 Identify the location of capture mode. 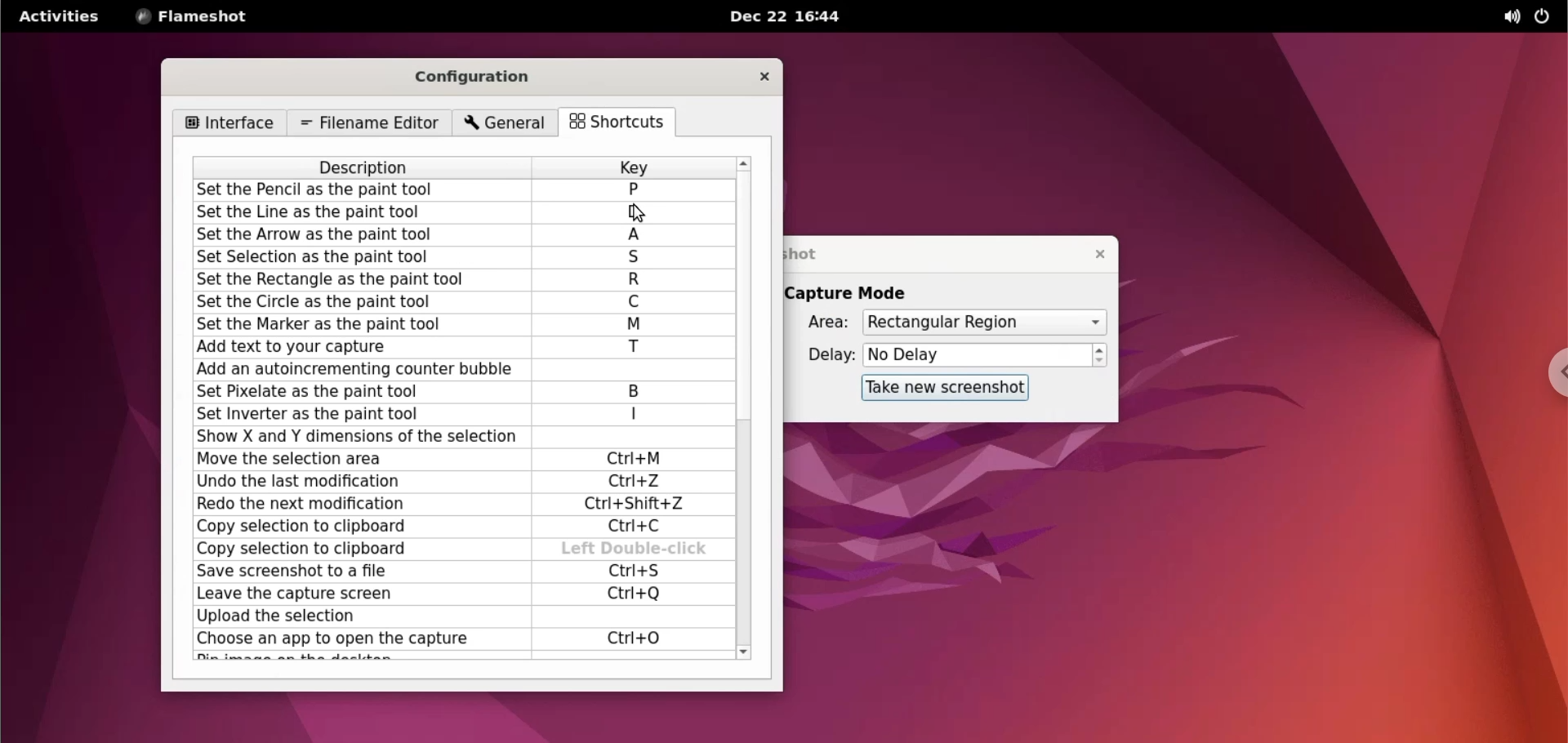
(862, 292).